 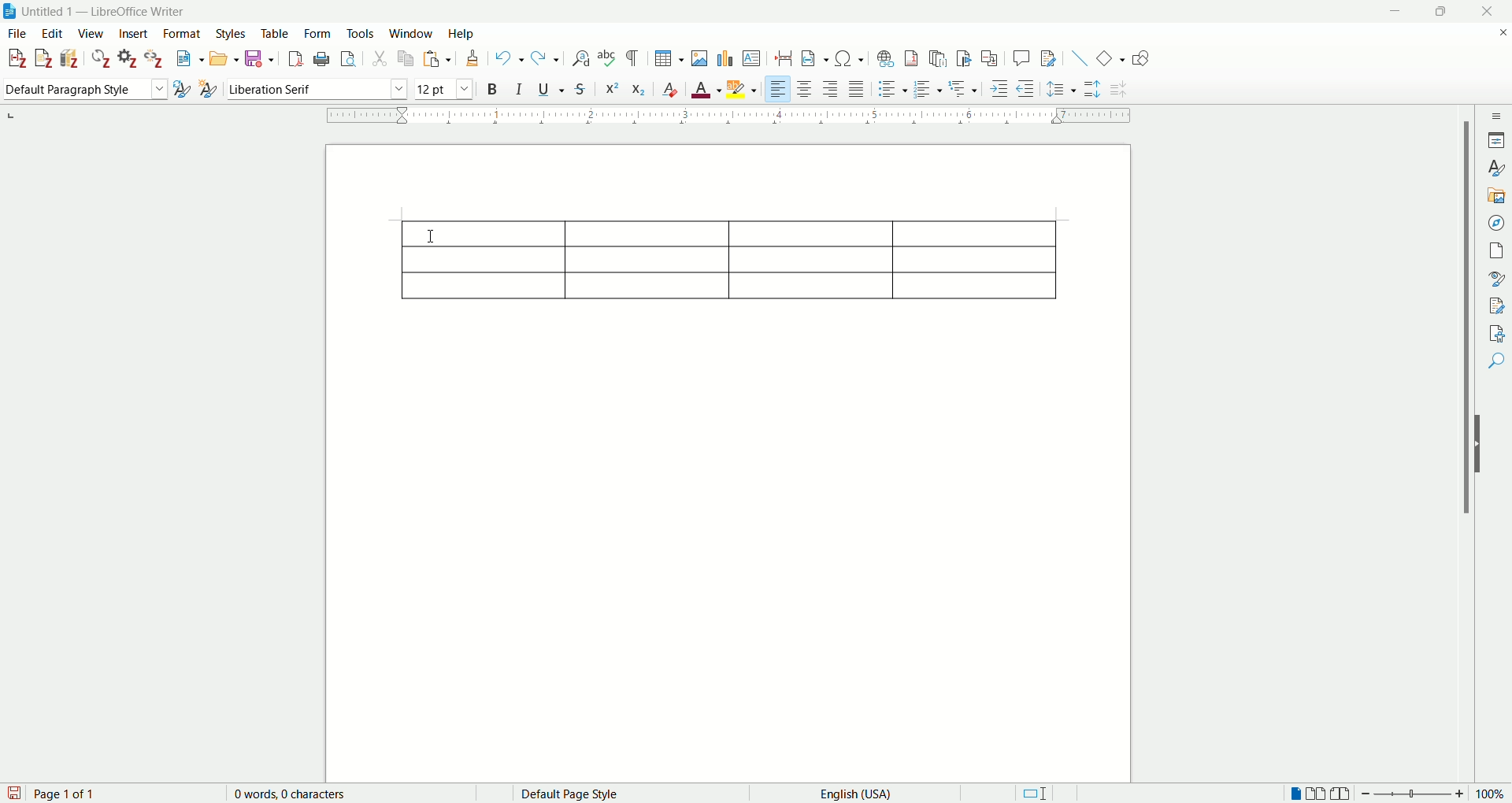 What do you see at coordinates (999, 89) in the screenshot?
I see `increase indent` at bounding box center [999, 89].